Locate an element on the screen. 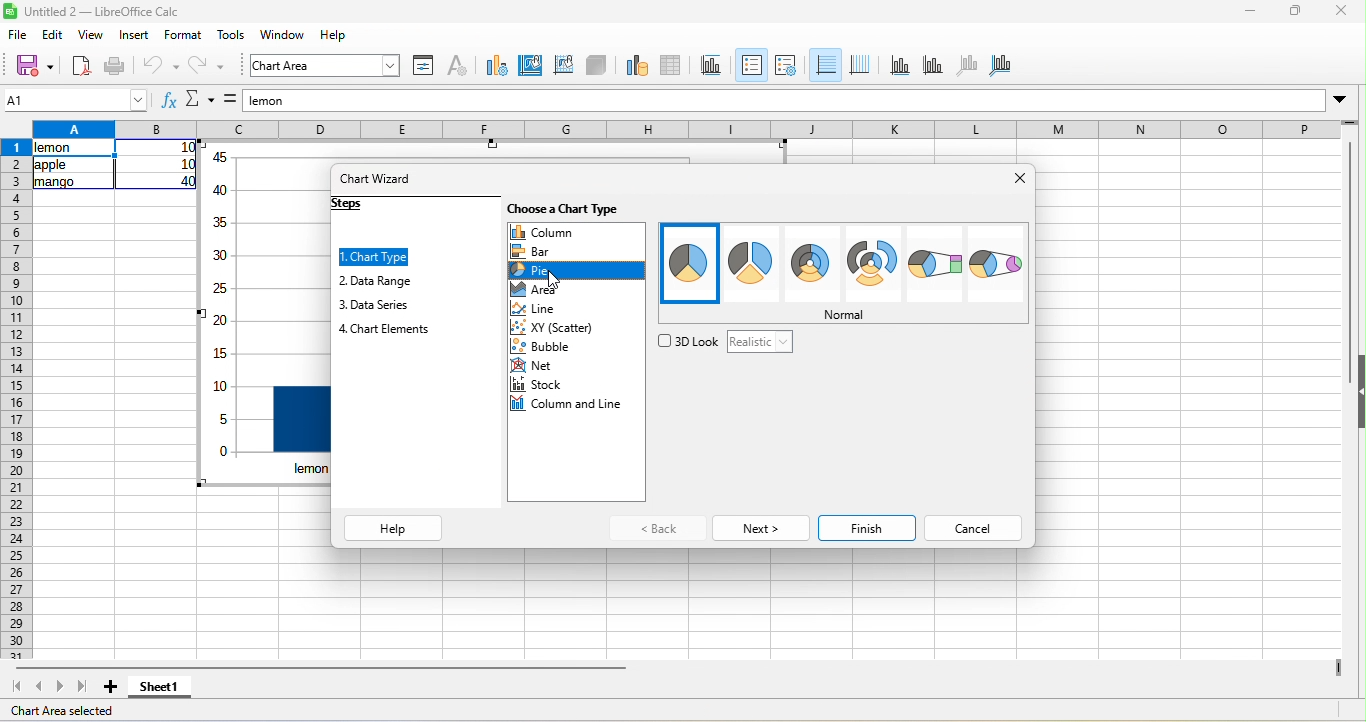 Image resolution: width=1366 pixels, height=722 pixels. chart wizard is located at coordinates (380, 181).